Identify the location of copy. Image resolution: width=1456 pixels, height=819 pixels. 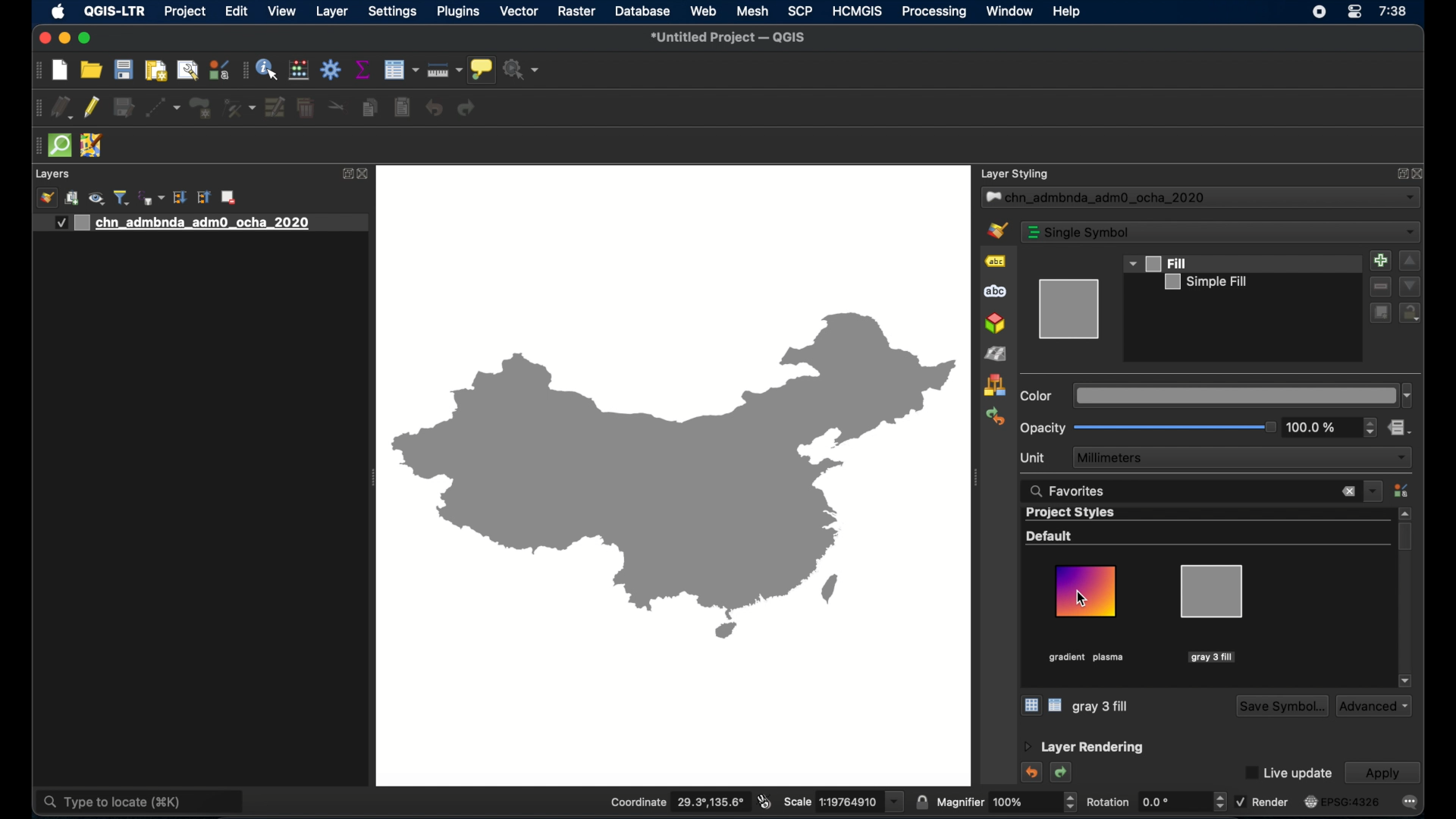
(370, 108).